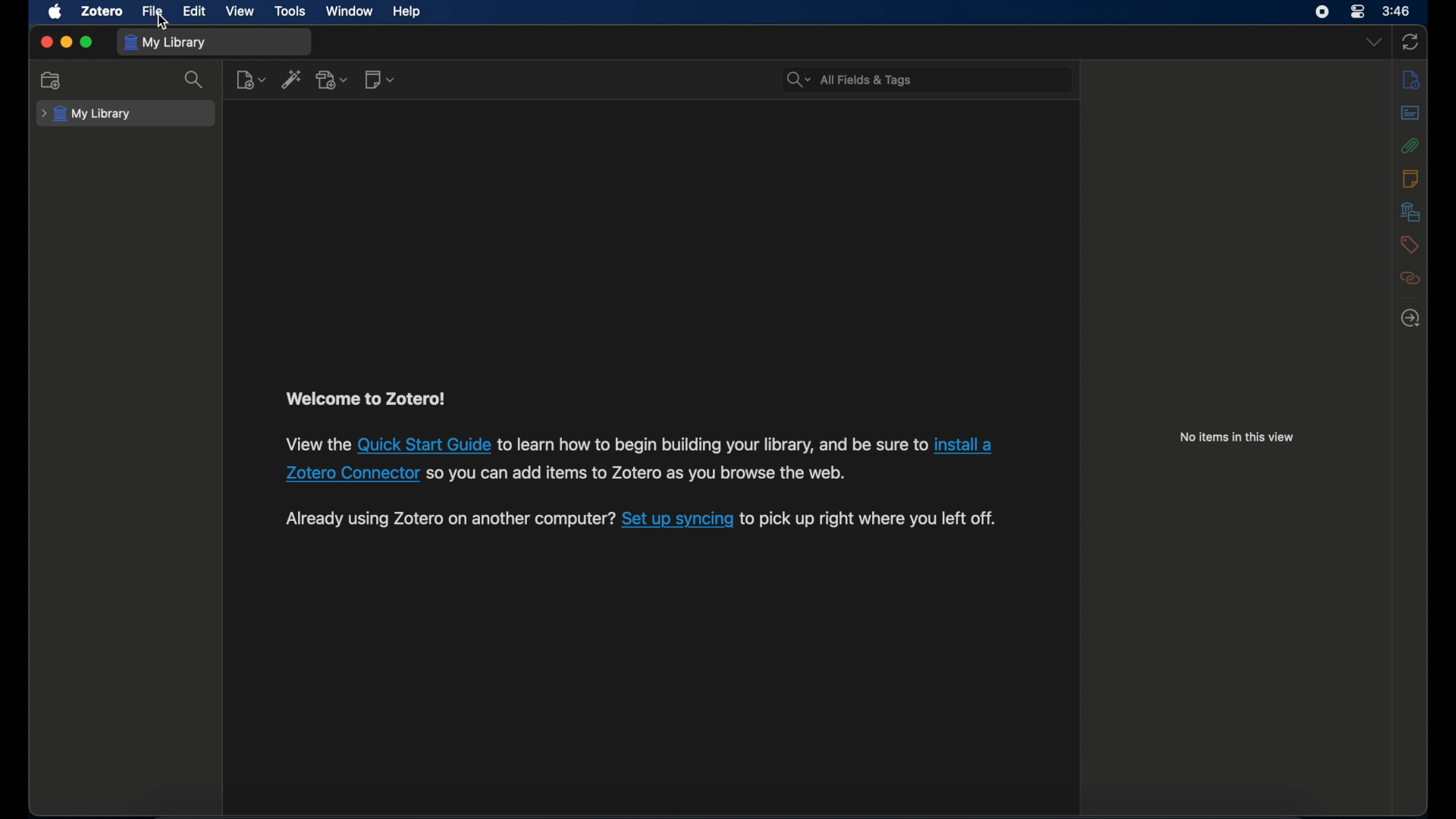  I want to click on notes, so click(1410, 177).